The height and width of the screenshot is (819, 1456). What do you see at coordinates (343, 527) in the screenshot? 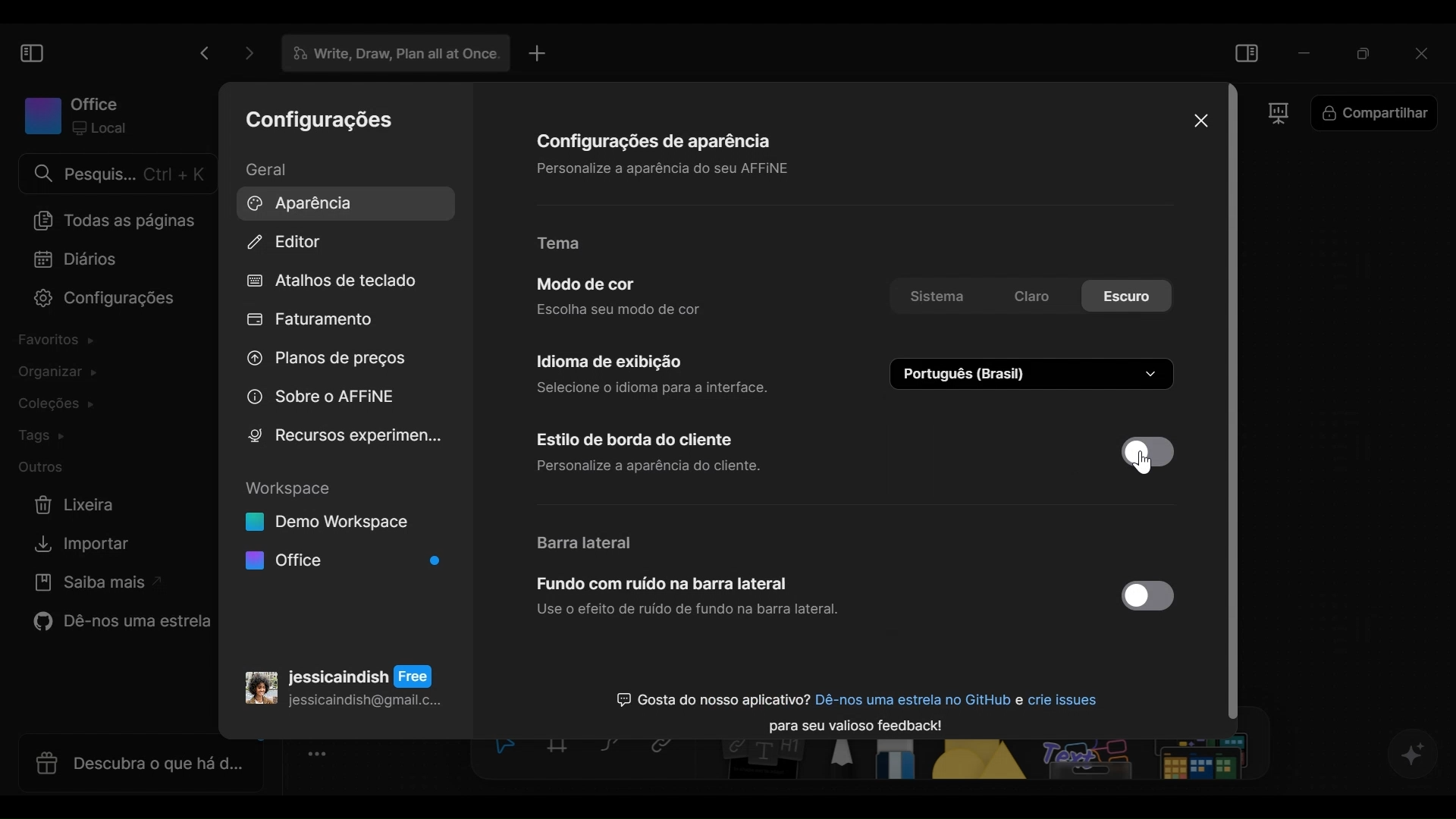
I see `Workspace` at bounding box center [343, 527].